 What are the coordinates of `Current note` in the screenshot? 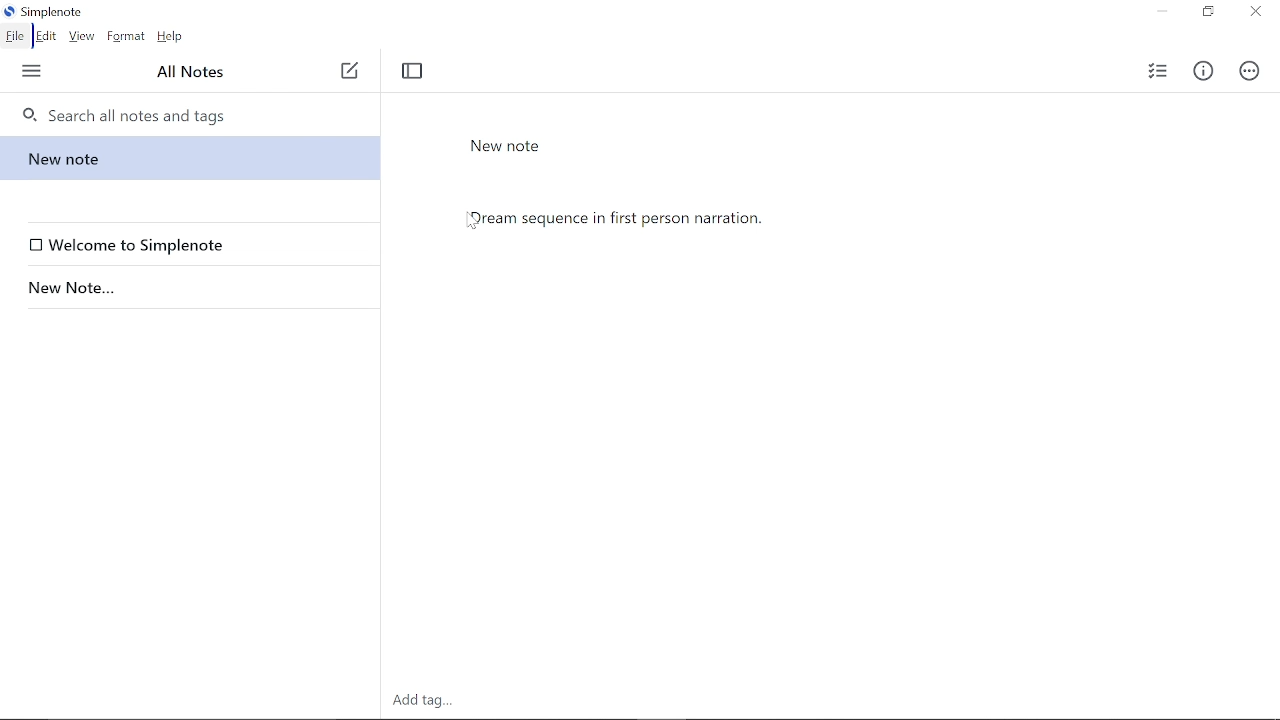 It's located at (184, 157).